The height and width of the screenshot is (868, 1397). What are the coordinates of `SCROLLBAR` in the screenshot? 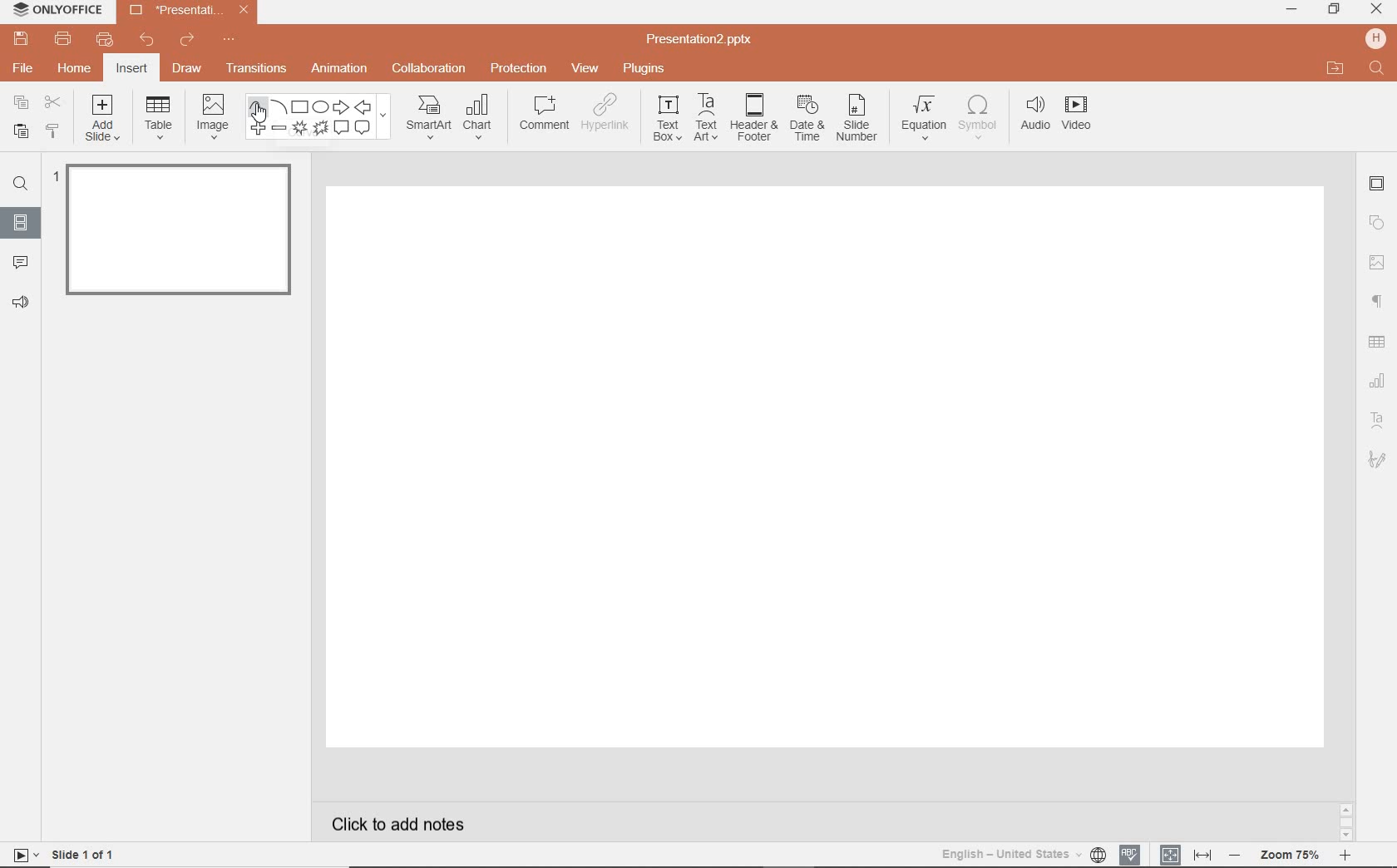 It's located at (1345, 820).